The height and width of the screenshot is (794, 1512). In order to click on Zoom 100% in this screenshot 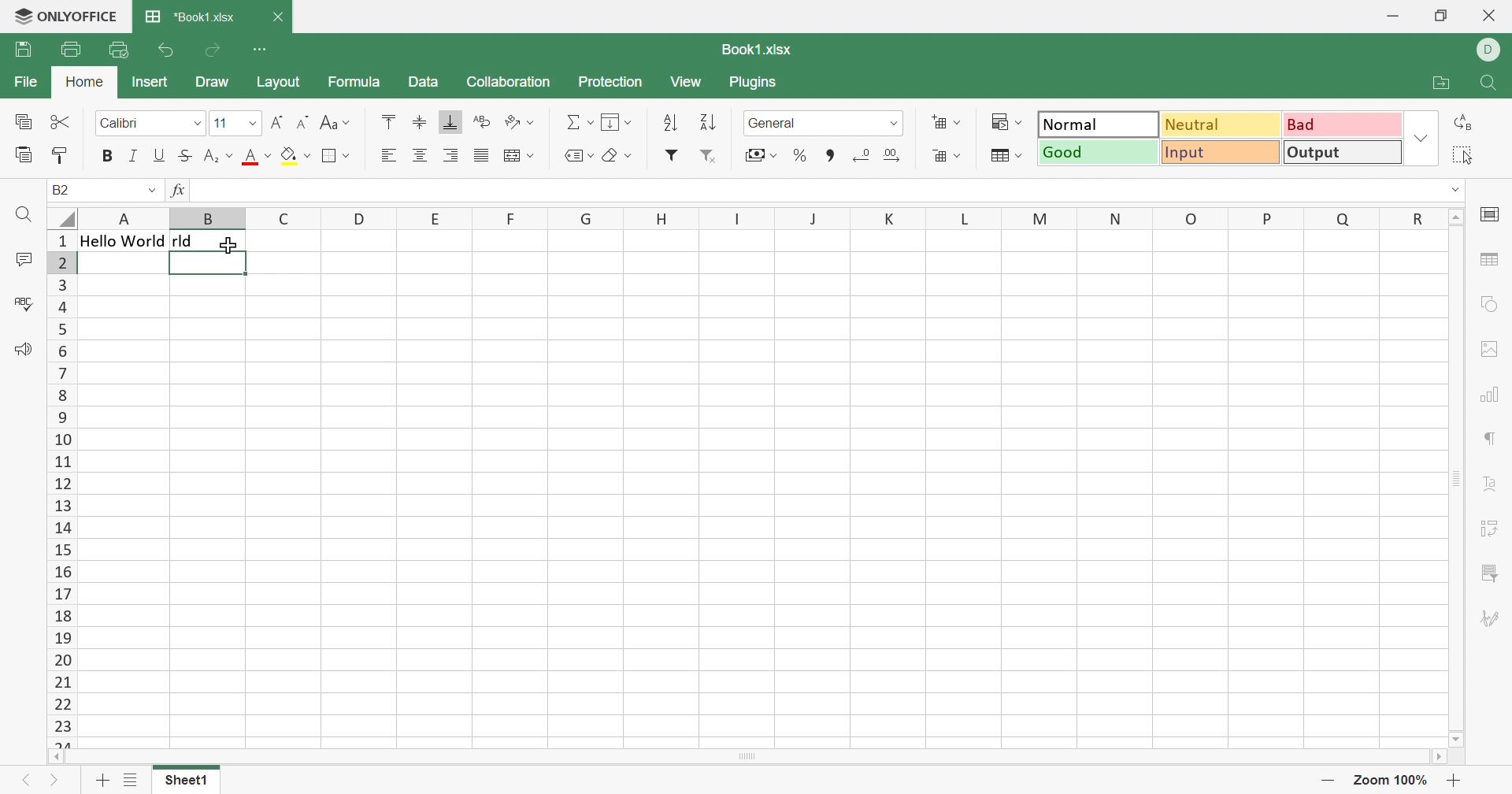, I will do `click(1390, 781)`.